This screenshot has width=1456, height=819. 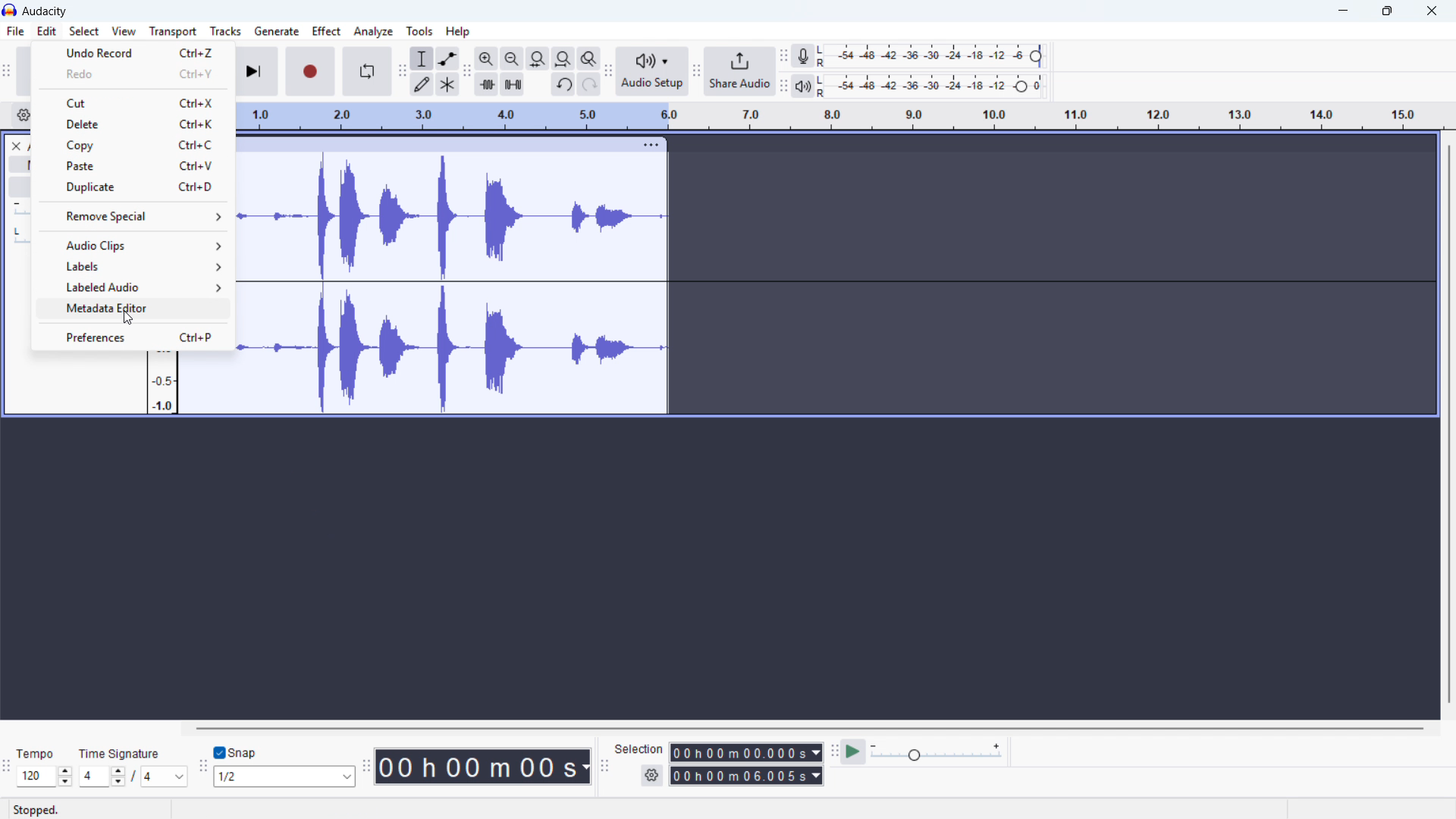 I want to click on transport, so click(x=173, y=32).